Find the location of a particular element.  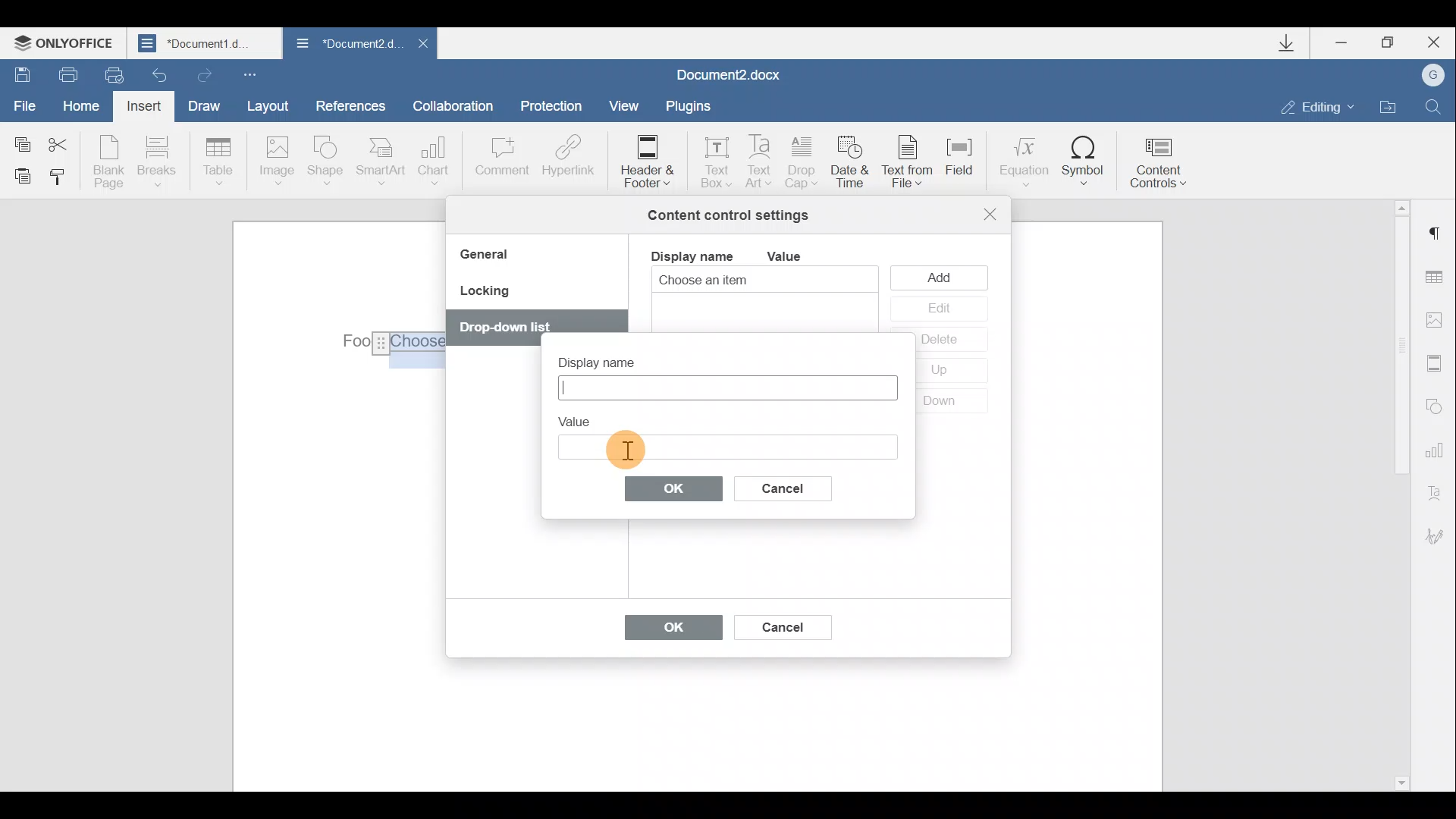

Close is located at coordinates (422, 48).